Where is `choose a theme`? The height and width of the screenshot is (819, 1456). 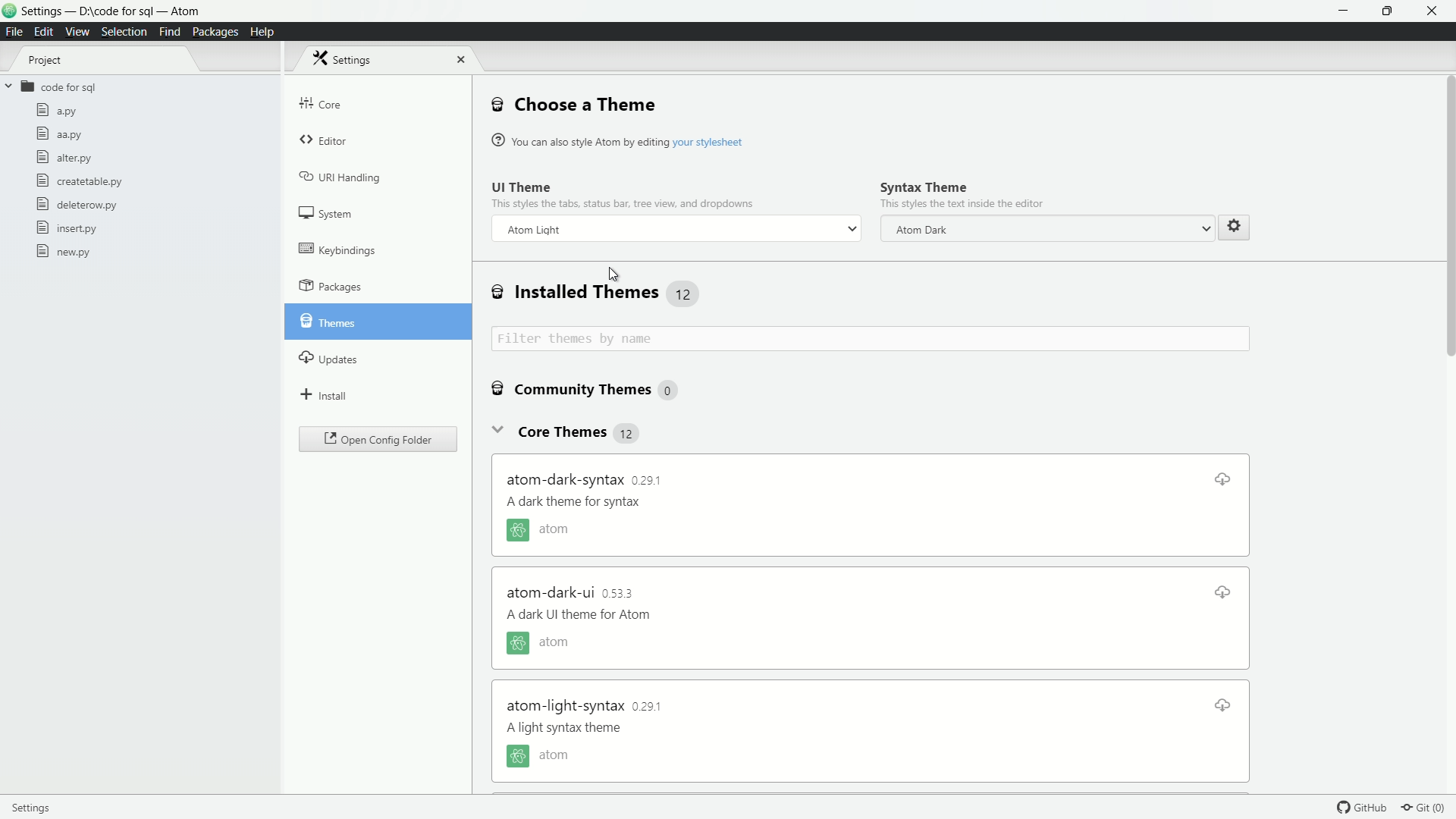
choose a theme is located at coordinates (576, 104).